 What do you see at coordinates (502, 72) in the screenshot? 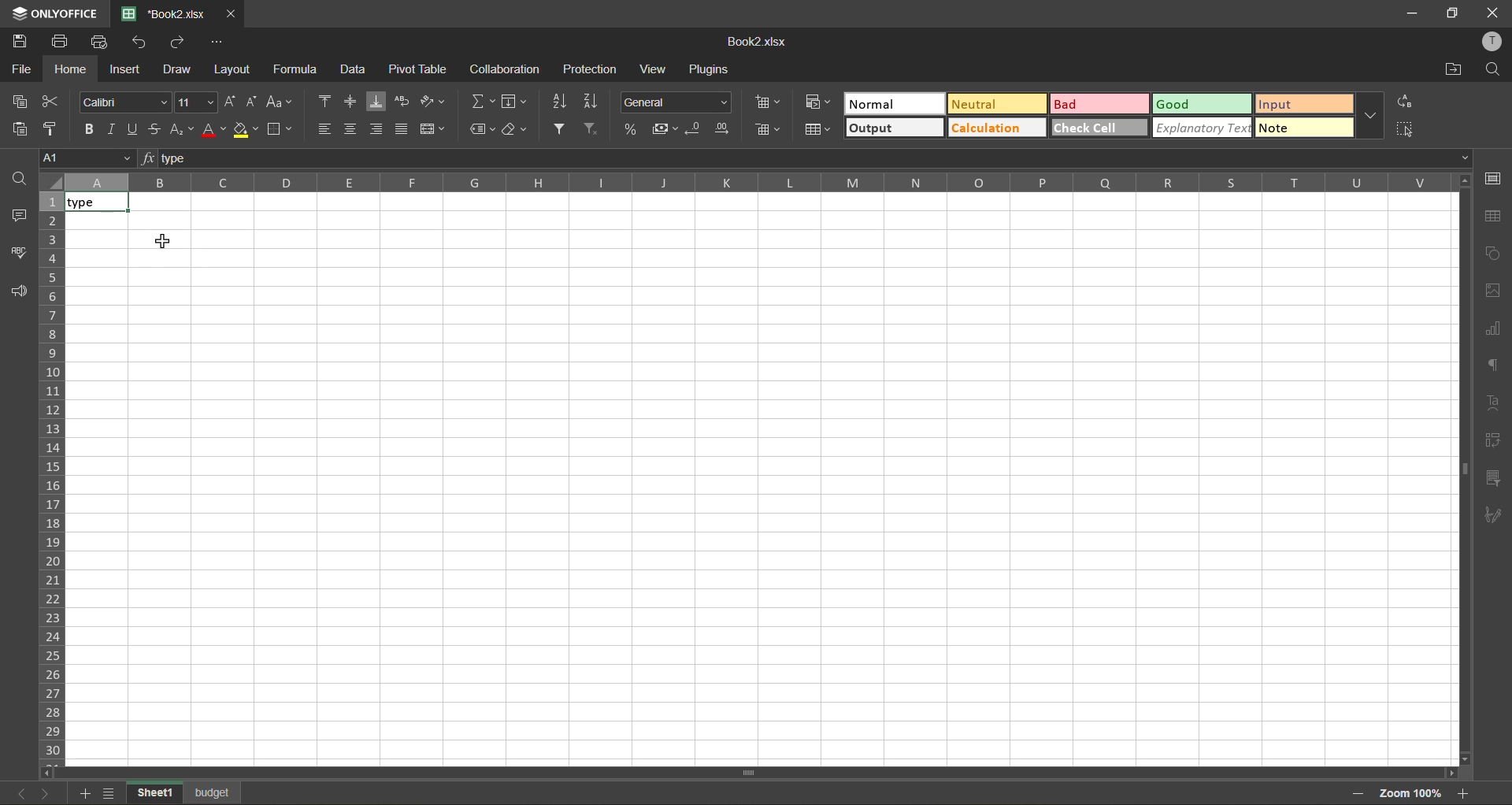
I see `collaboration` at bounding box center [502, 72].